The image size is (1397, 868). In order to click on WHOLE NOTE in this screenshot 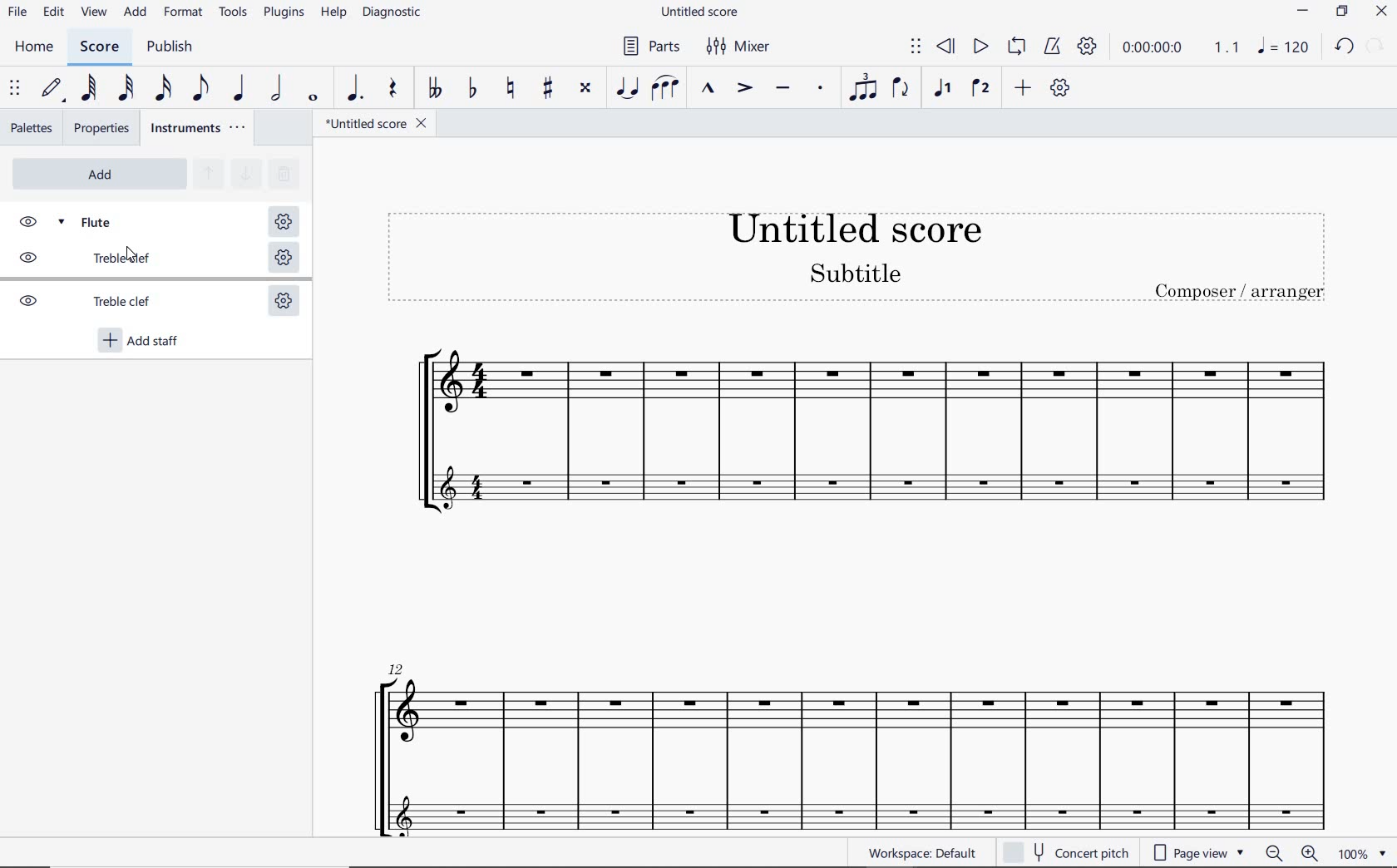, I will do `click(314, 100)`.